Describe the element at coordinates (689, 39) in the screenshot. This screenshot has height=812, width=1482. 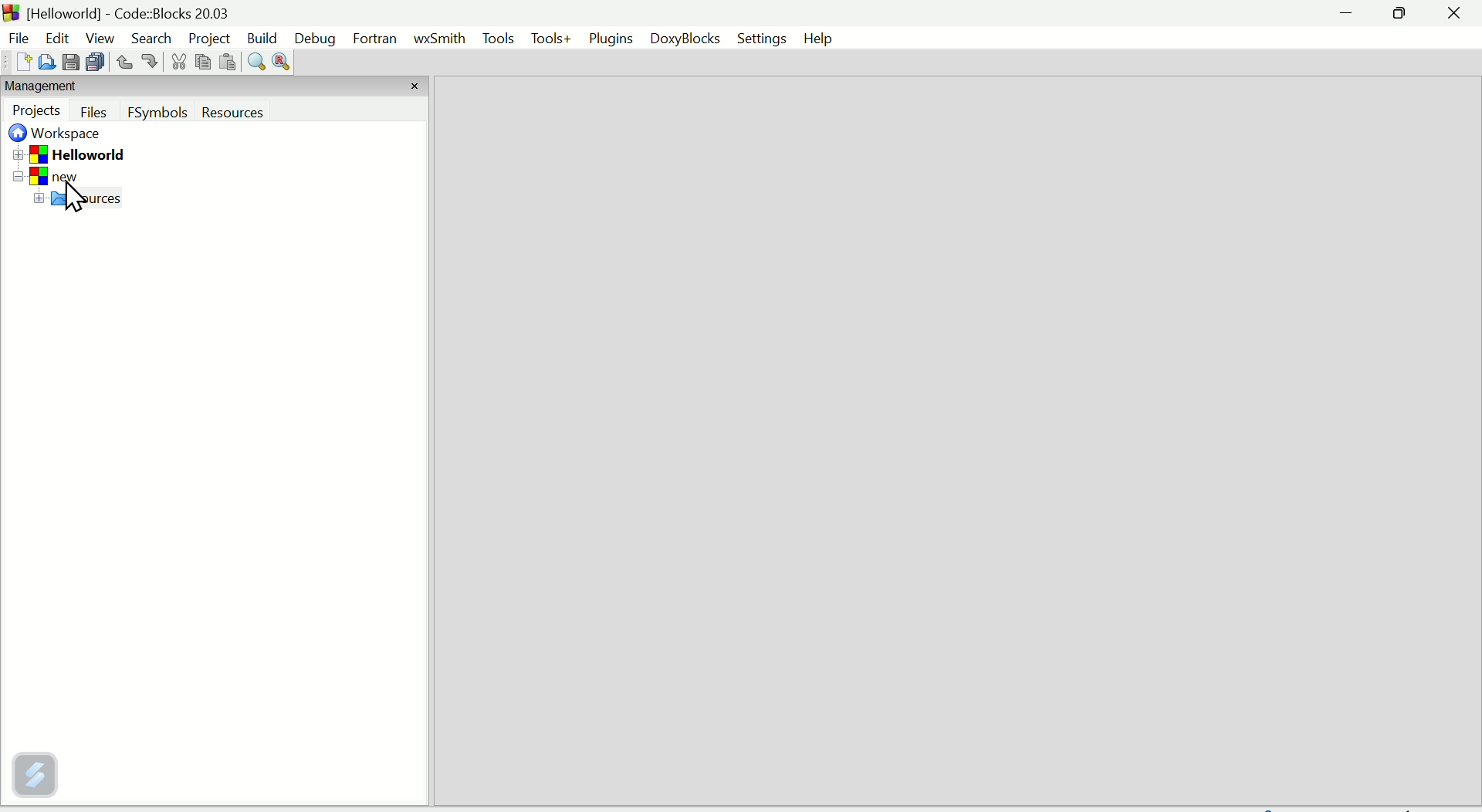
I see `Doxyblocks` at that location.